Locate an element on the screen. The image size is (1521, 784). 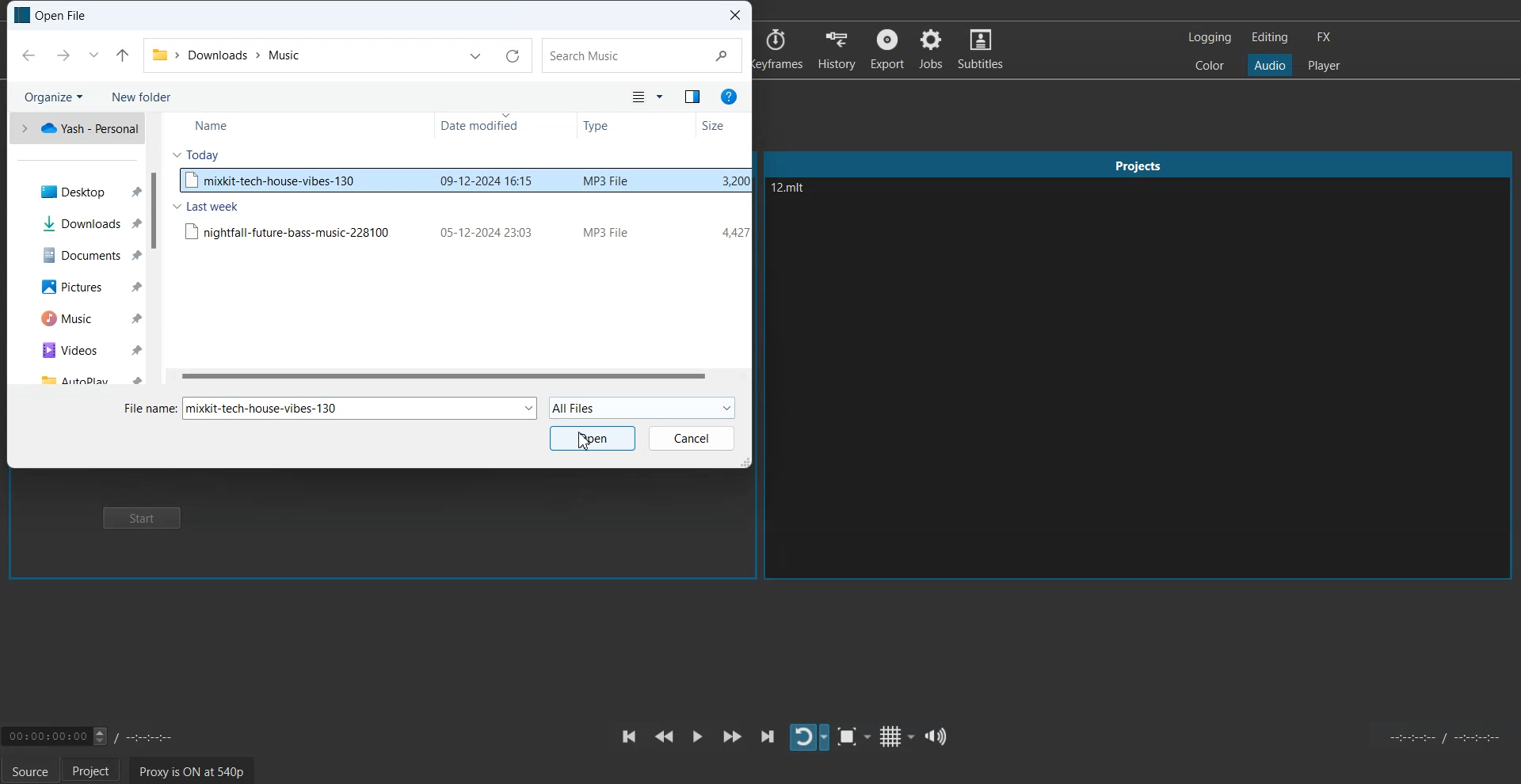
Go back is located at coordinates (29, 55).